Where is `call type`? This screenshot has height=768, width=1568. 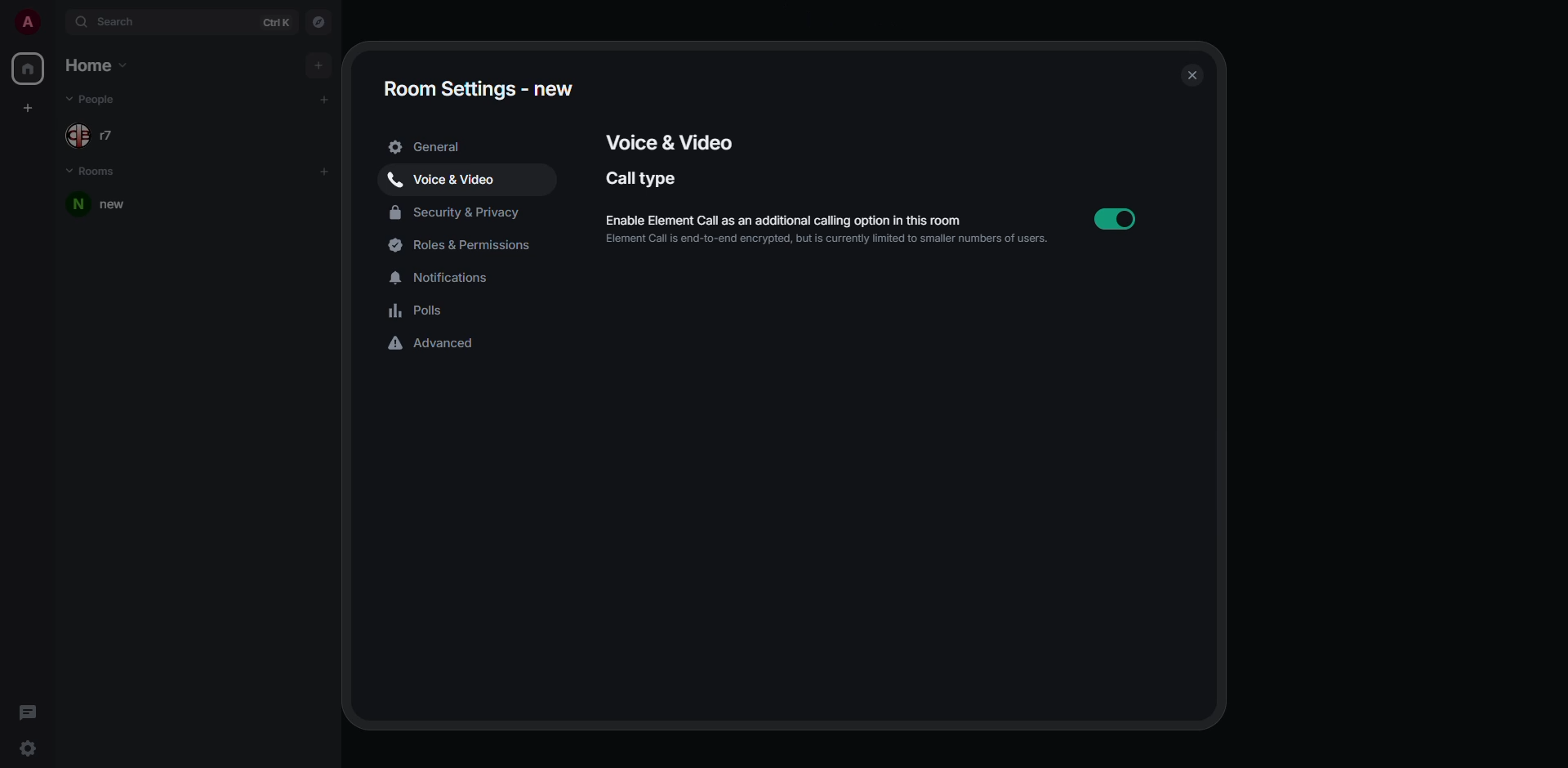
call type is located at coordinates (644, 178).